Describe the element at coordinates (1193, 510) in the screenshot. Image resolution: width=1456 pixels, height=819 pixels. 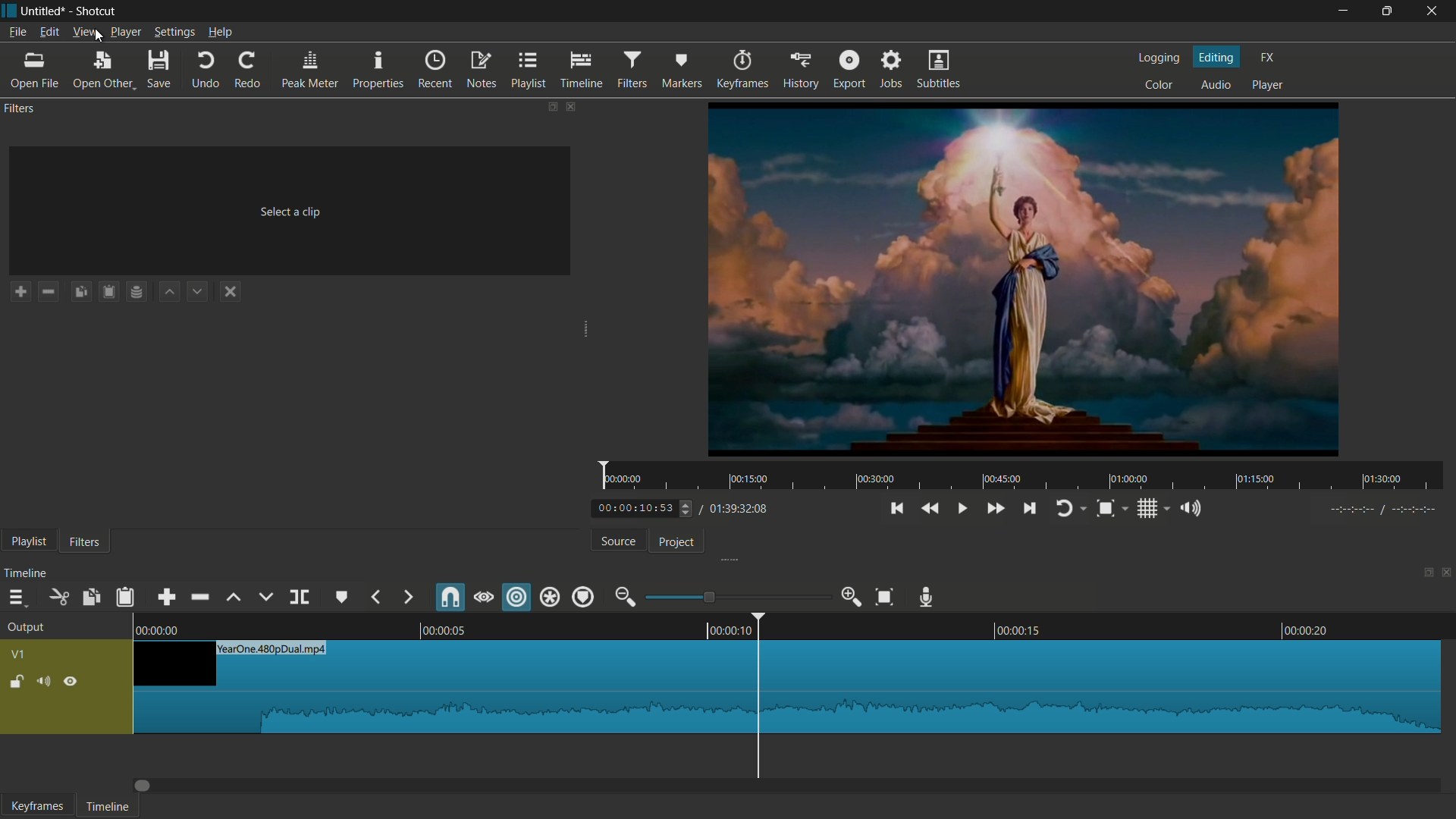
I see `show volume control` at that location.